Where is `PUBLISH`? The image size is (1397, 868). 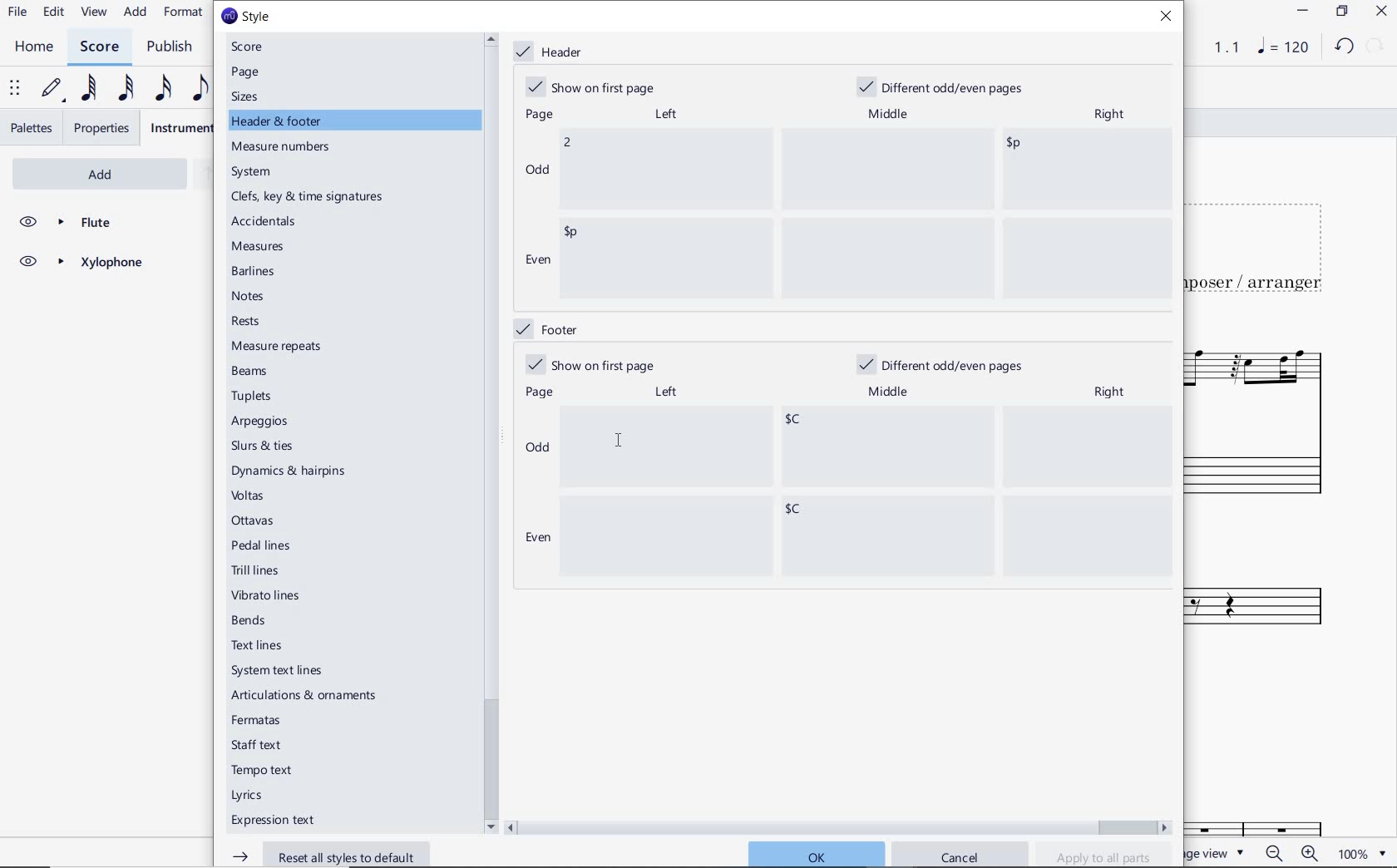
PUBLISH is located at coordinates (174, 47).